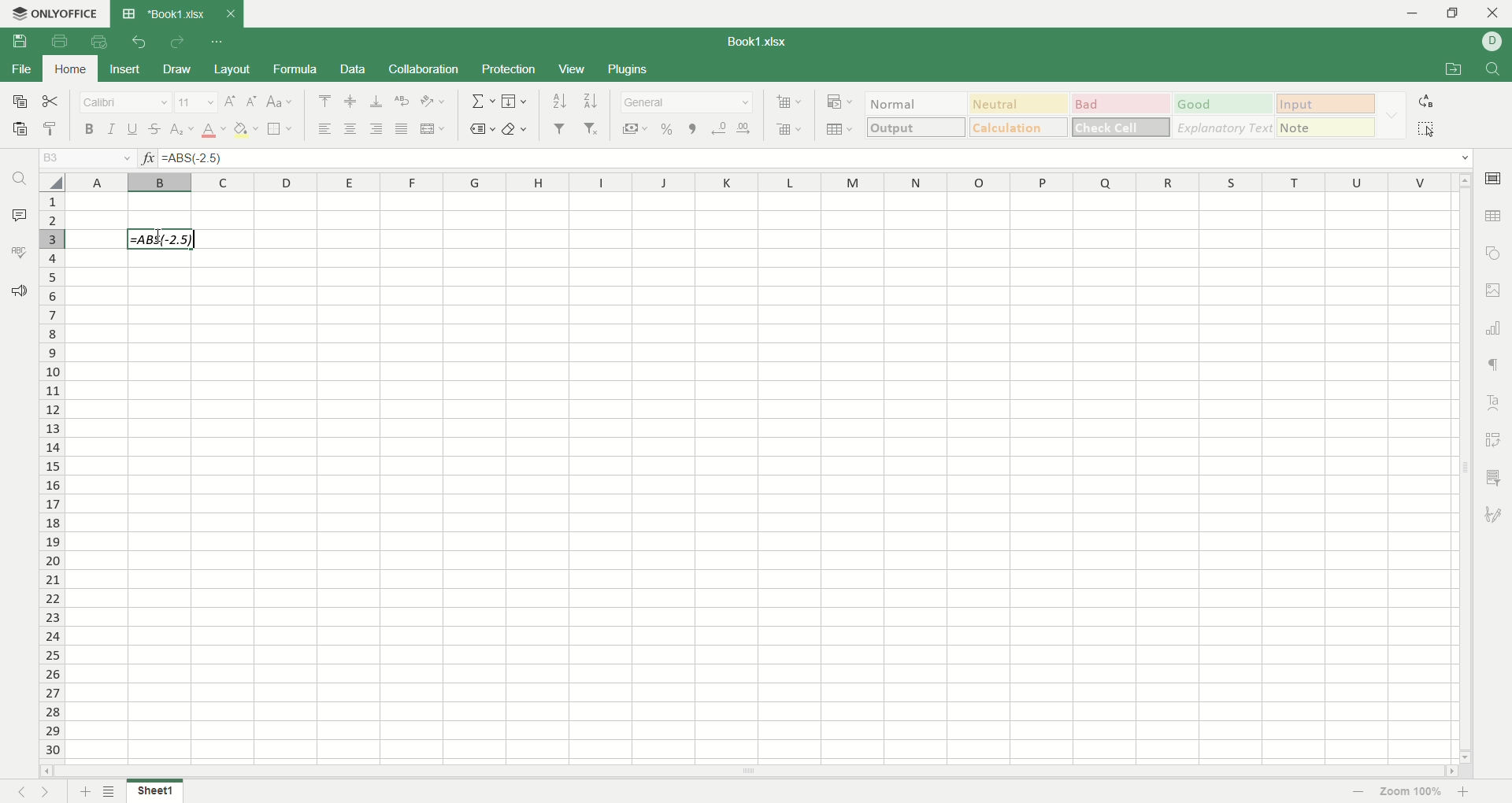 Image resolution: width=1512 pixels, height=803 pixels. What do you see at coordinates (916, 103) in the screenshot?
I see `normal` at bounding box center [916, 103].